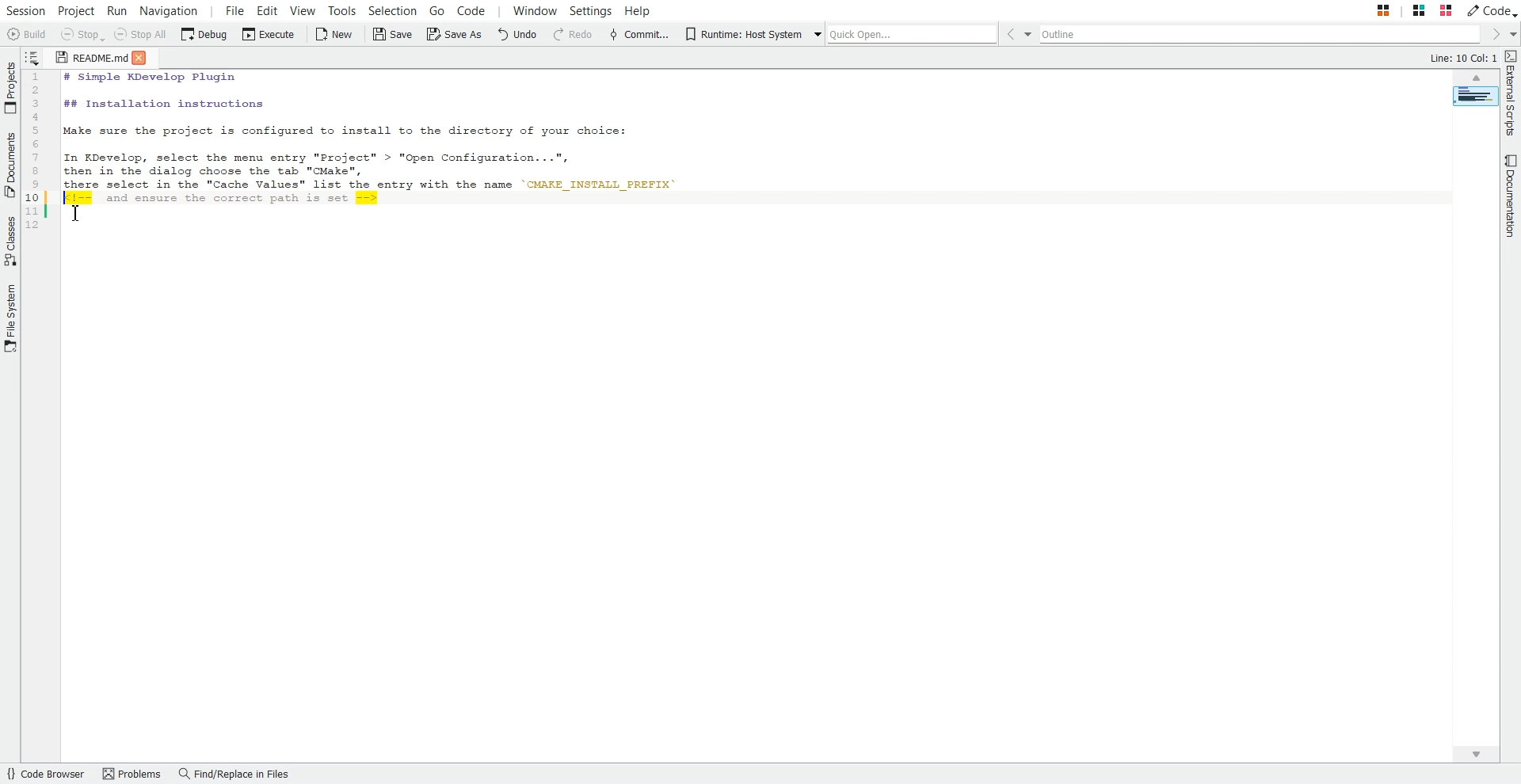  Describe the element at coordinates (46, 774) in the screenshot. I see `Code Browser` at that location.